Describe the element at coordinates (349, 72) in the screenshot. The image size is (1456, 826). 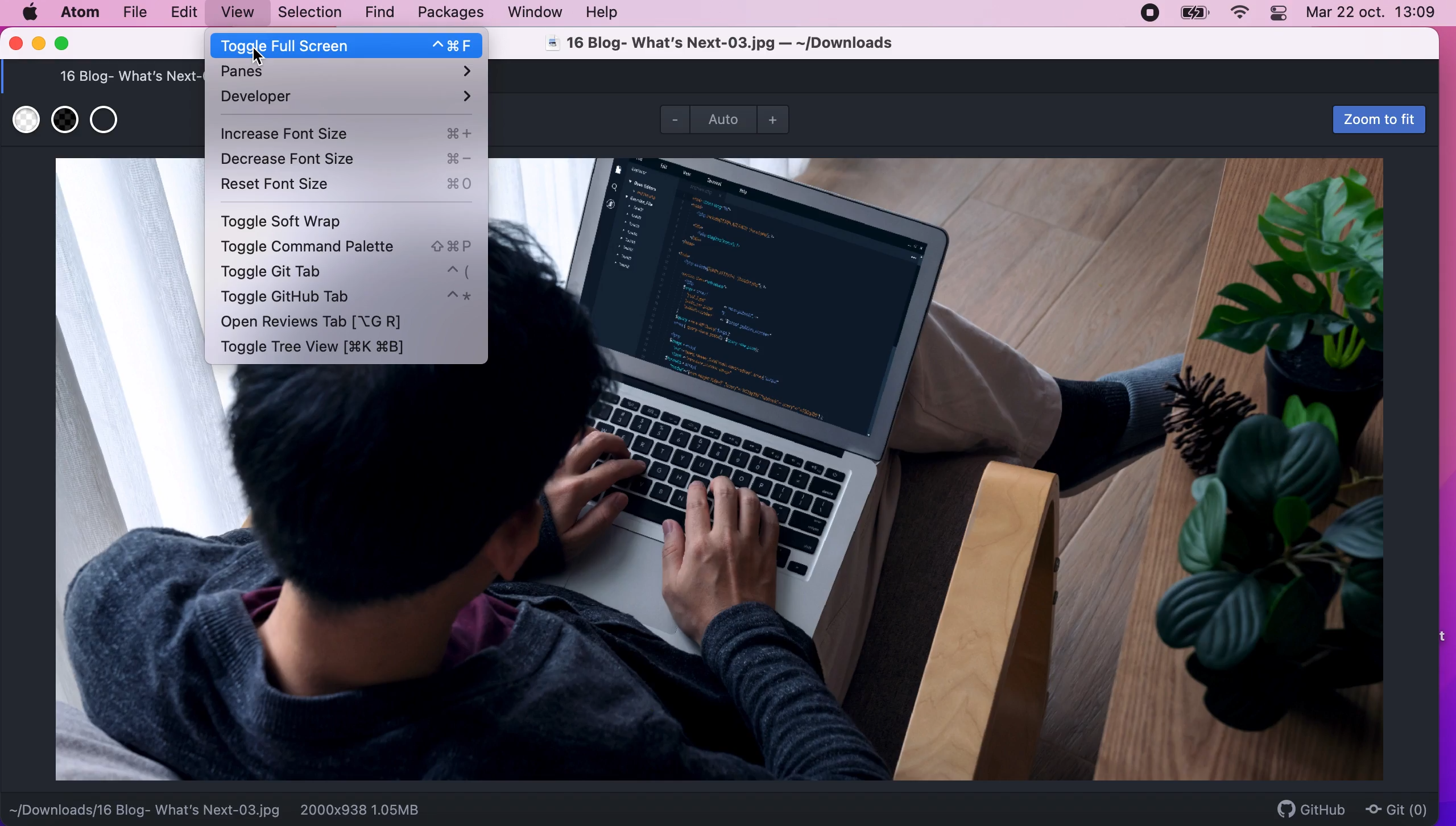
I see `panes` at that location.